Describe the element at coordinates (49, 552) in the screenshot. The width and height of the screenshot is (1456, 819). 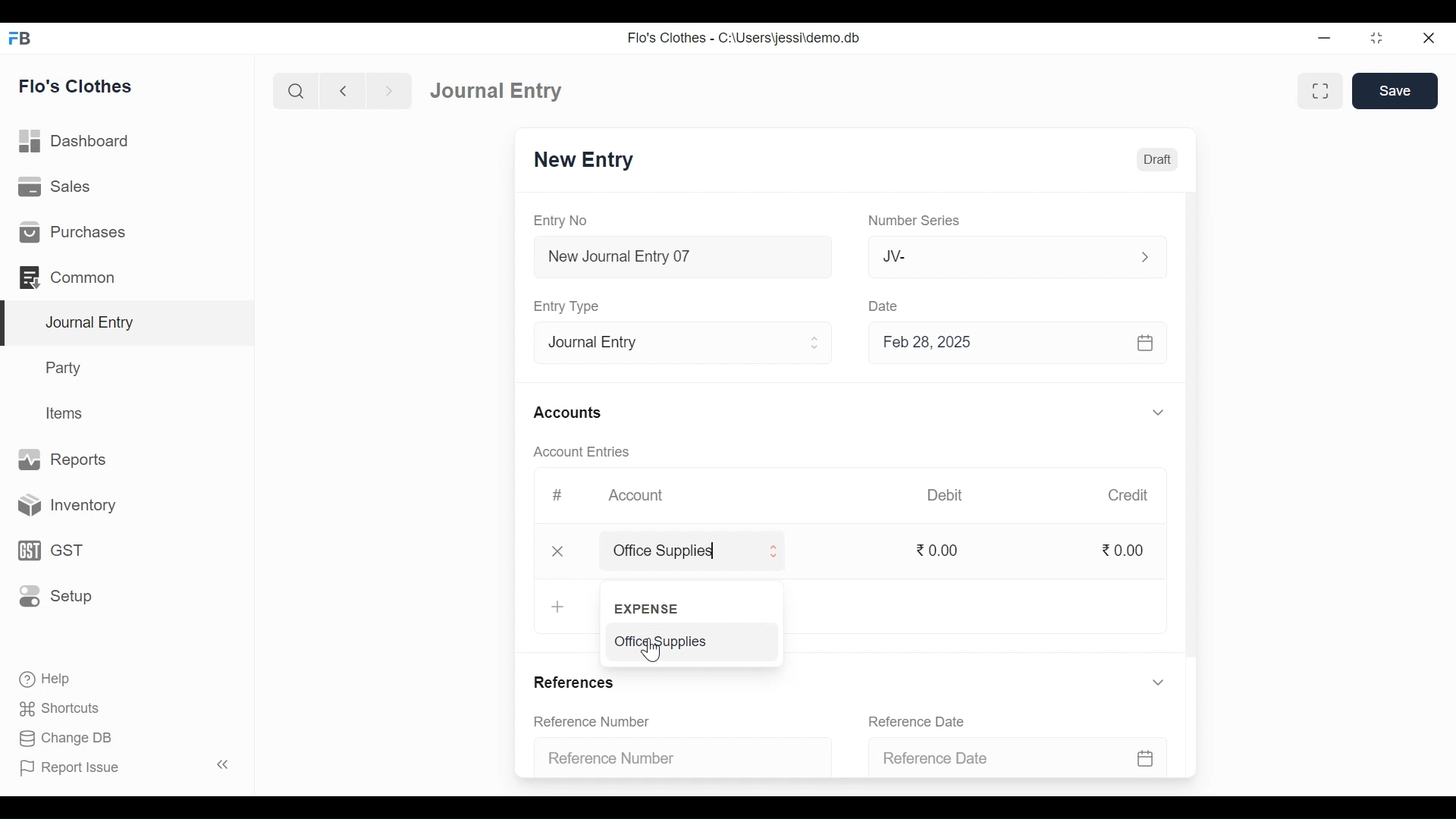
I see `GST` at that location.